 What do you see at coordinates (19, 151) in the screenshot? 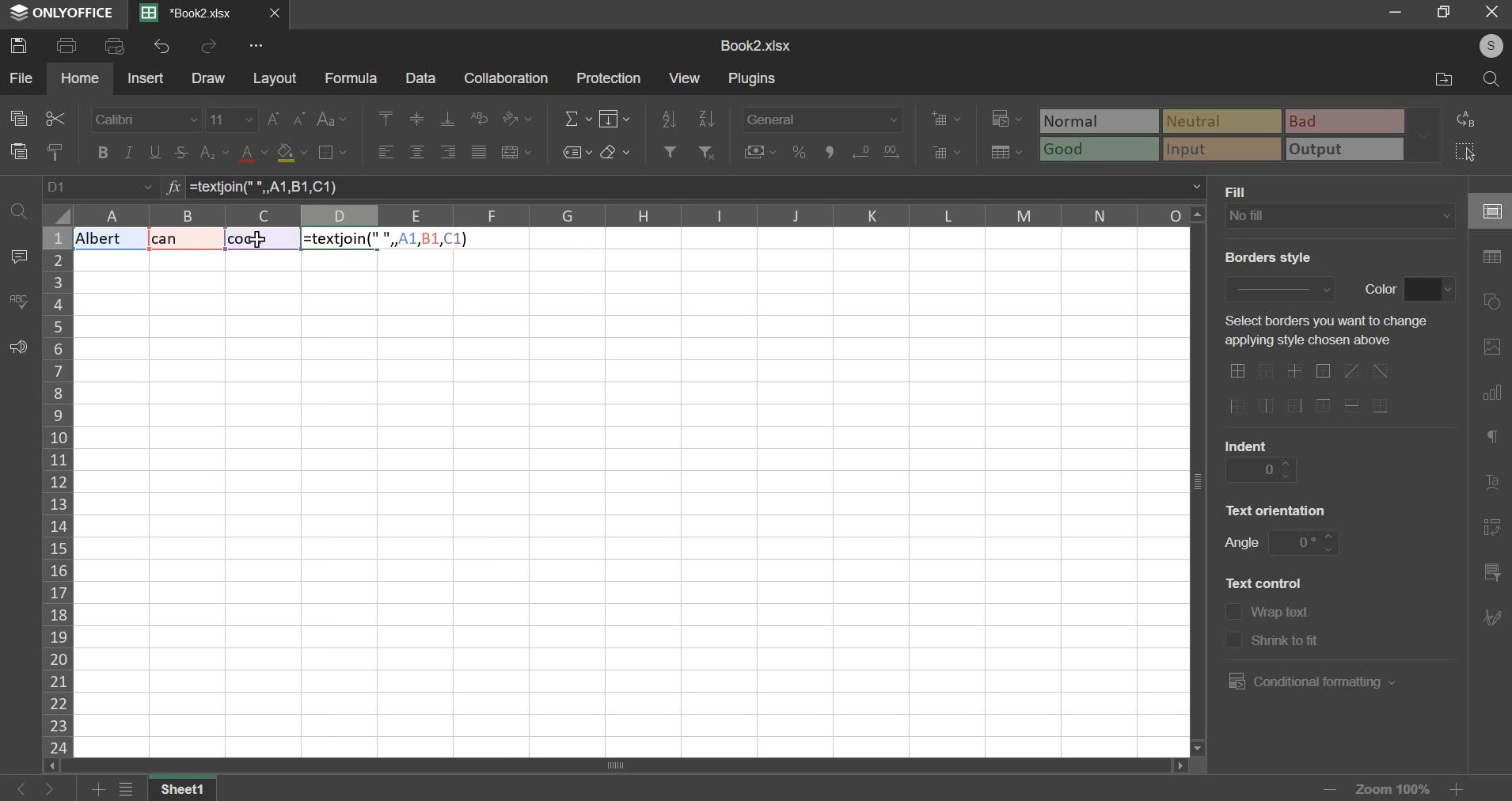
I see `paste` at bounding box center [19, 151].